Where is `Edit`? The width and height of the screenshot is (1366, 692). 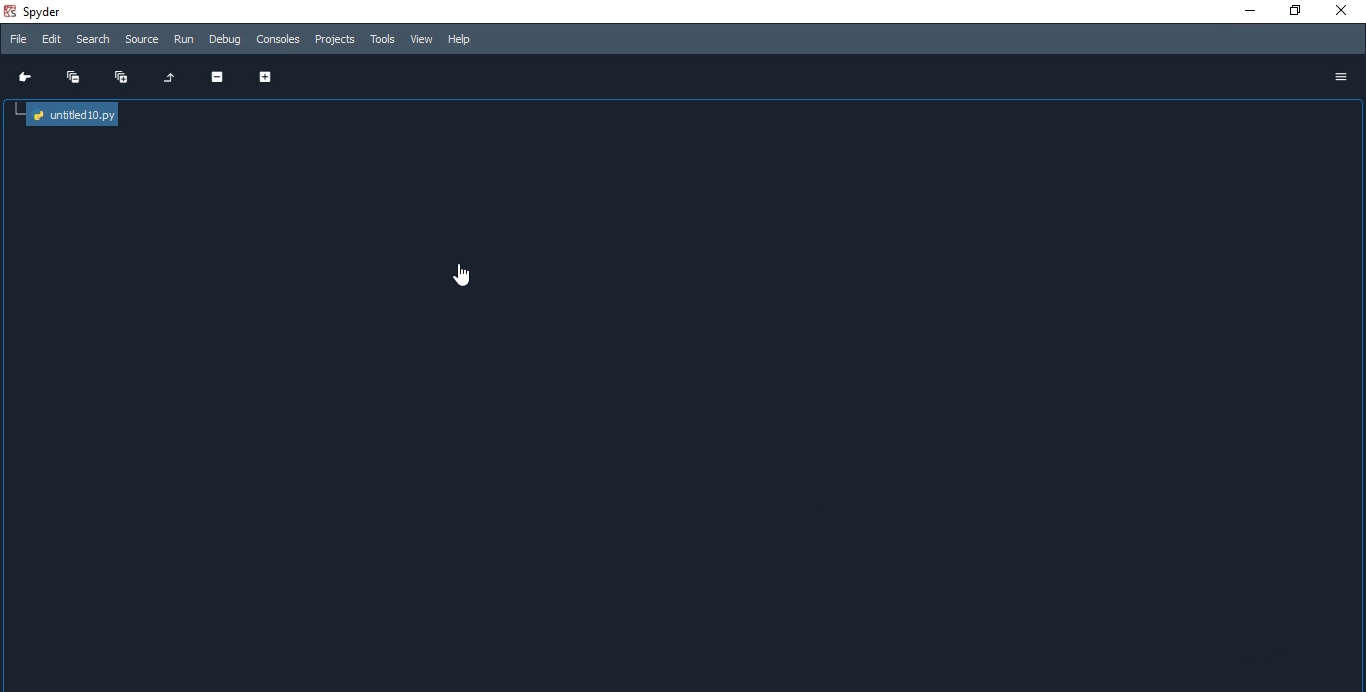 Edit is located at coordinates (51, 40).